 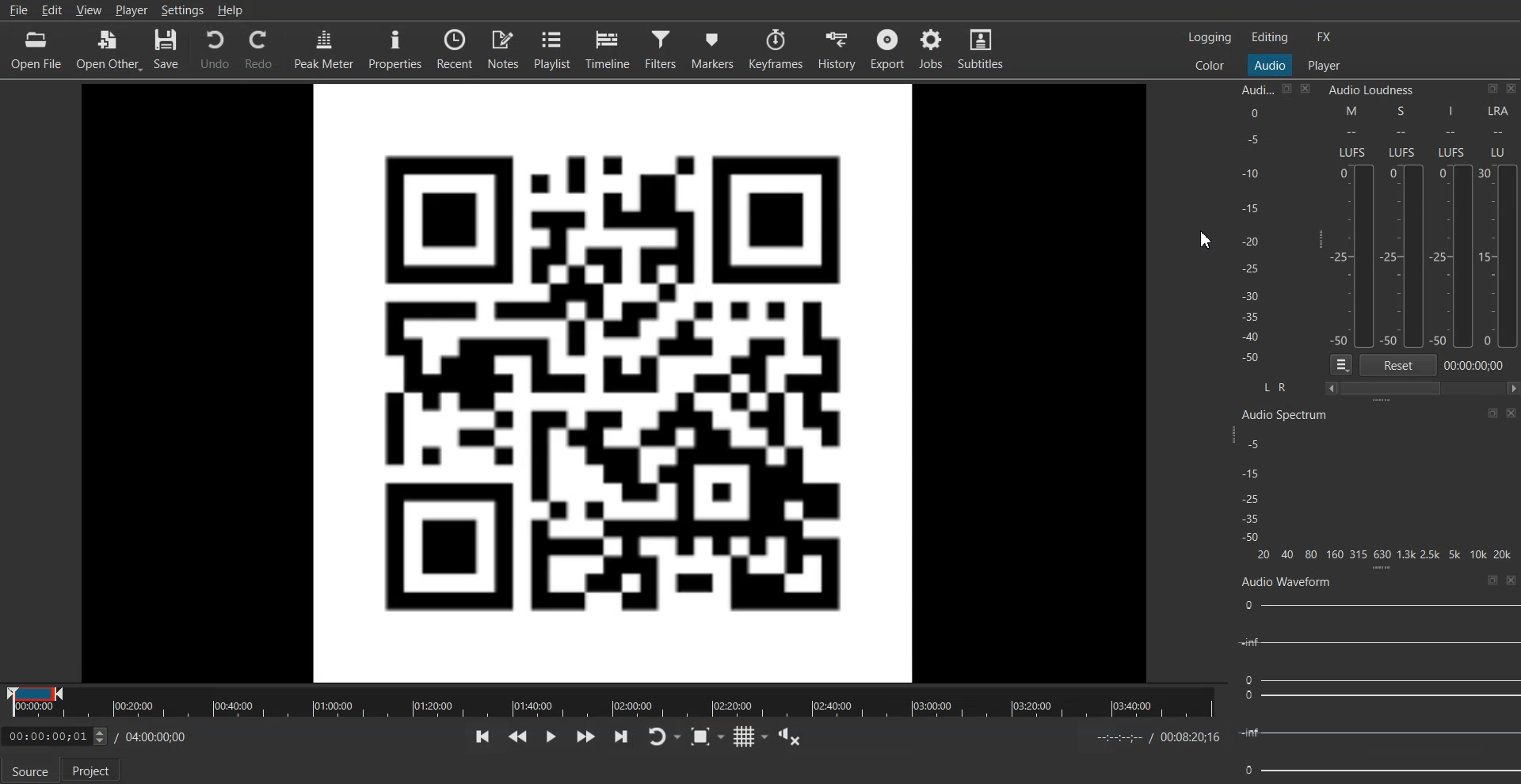 I want to click on Loudness Range, so click(x=1499, y=225).